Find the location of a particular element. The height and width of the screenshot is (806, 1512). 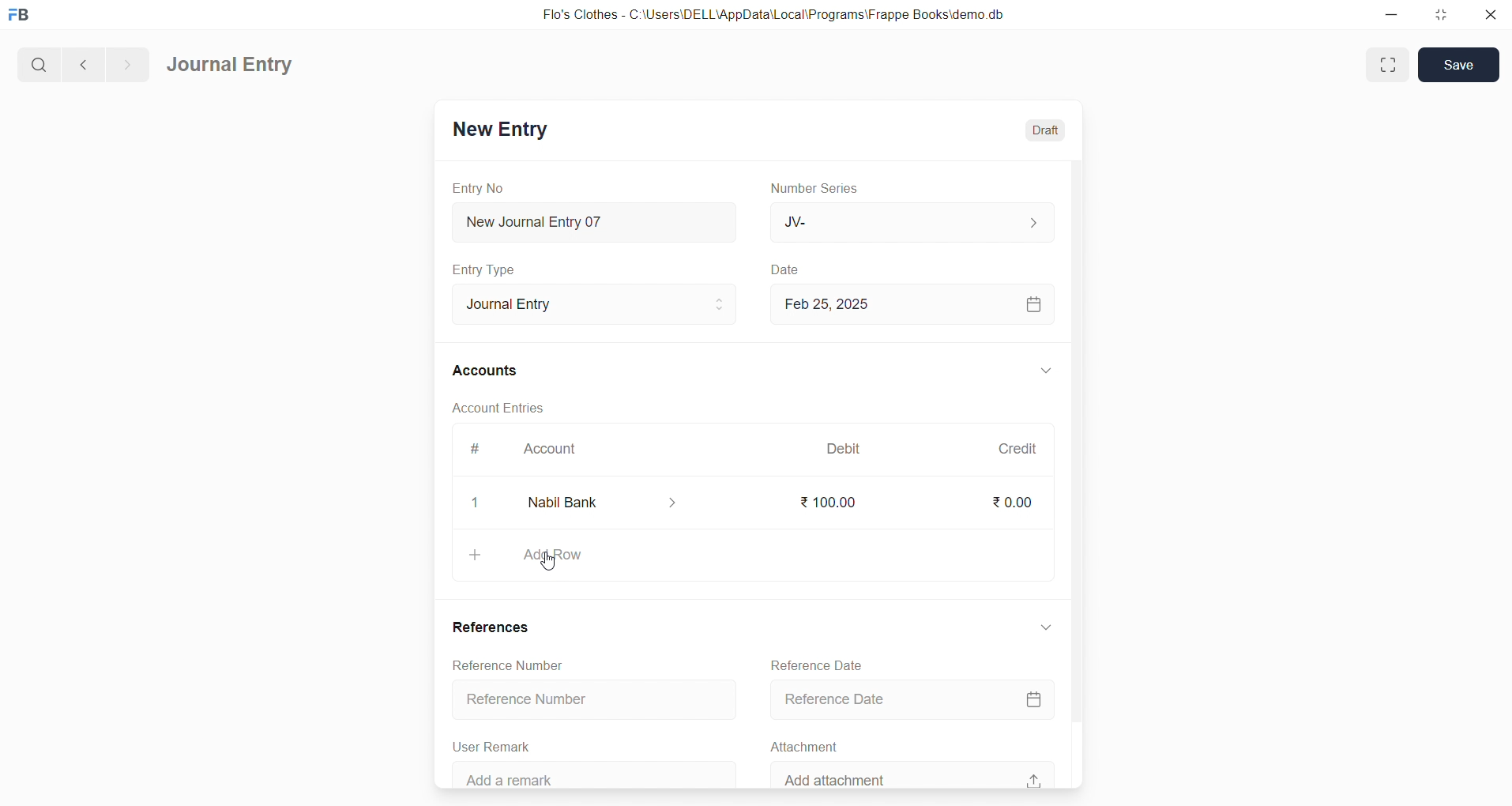

Attachment is located at coordinates (805, 745).